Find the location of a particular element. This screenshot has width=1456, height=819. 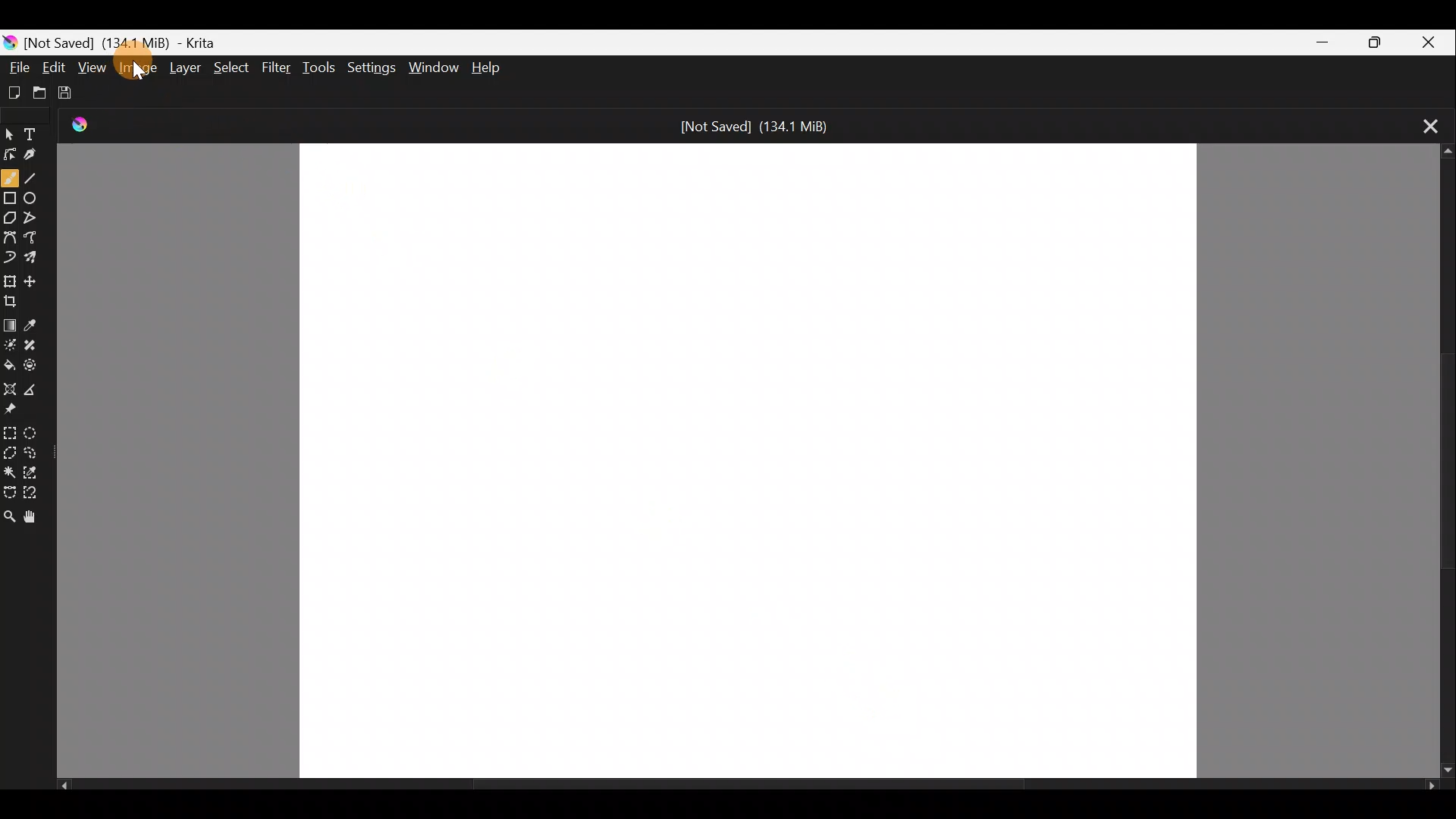

Create a new document is located at coordinates (15, 92).